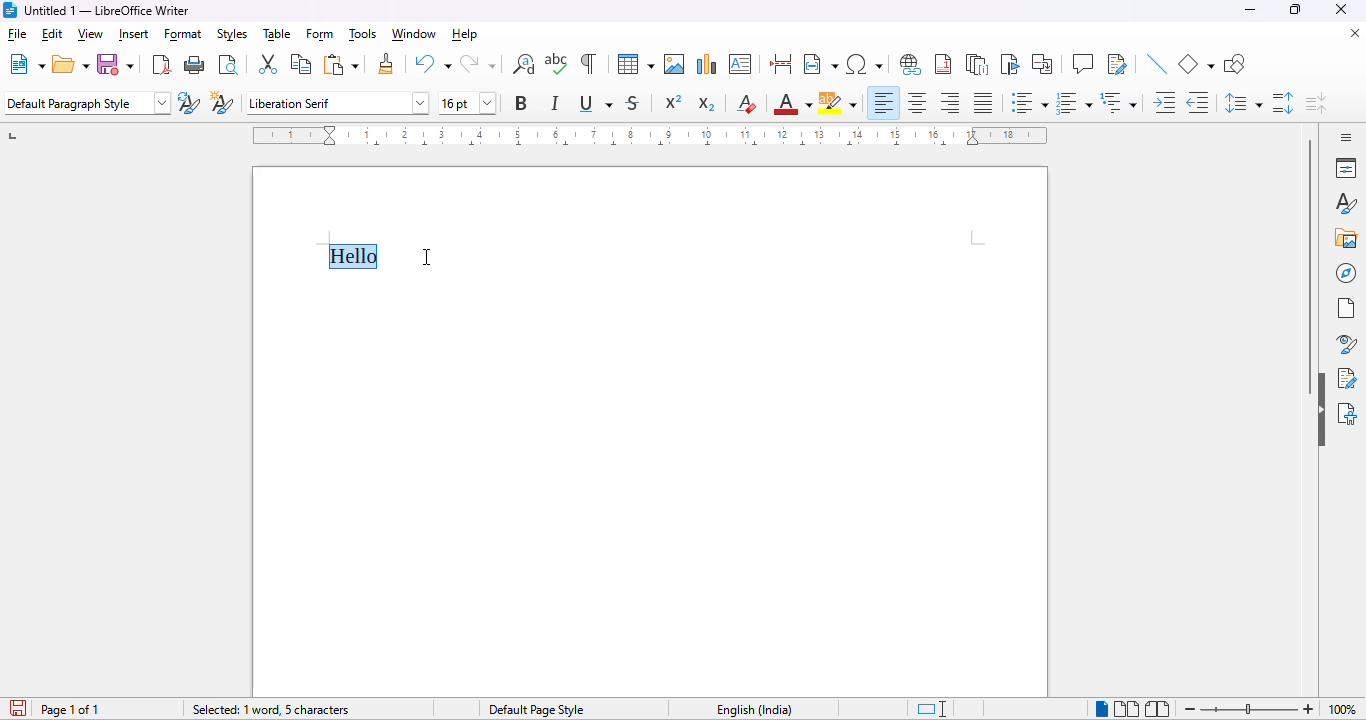 This screenshot has width=1366, height=720. What do you see at coordinates (1126, 709) in the screenshot?
I see `multi-page view` at bounding box center [1126, 709].